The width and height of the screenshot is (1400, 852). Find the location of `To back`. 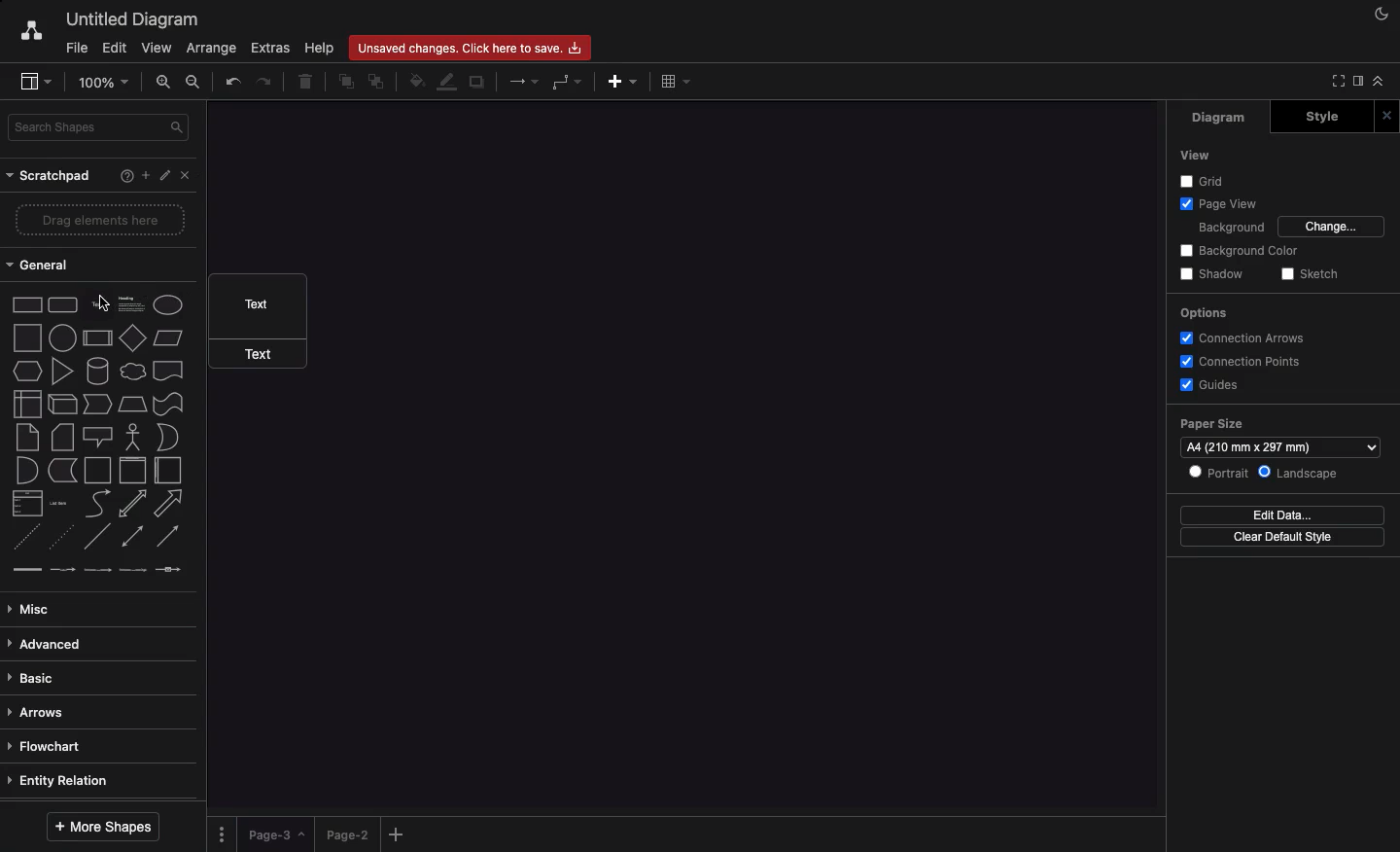

To back is located at coordinates (376, 83).